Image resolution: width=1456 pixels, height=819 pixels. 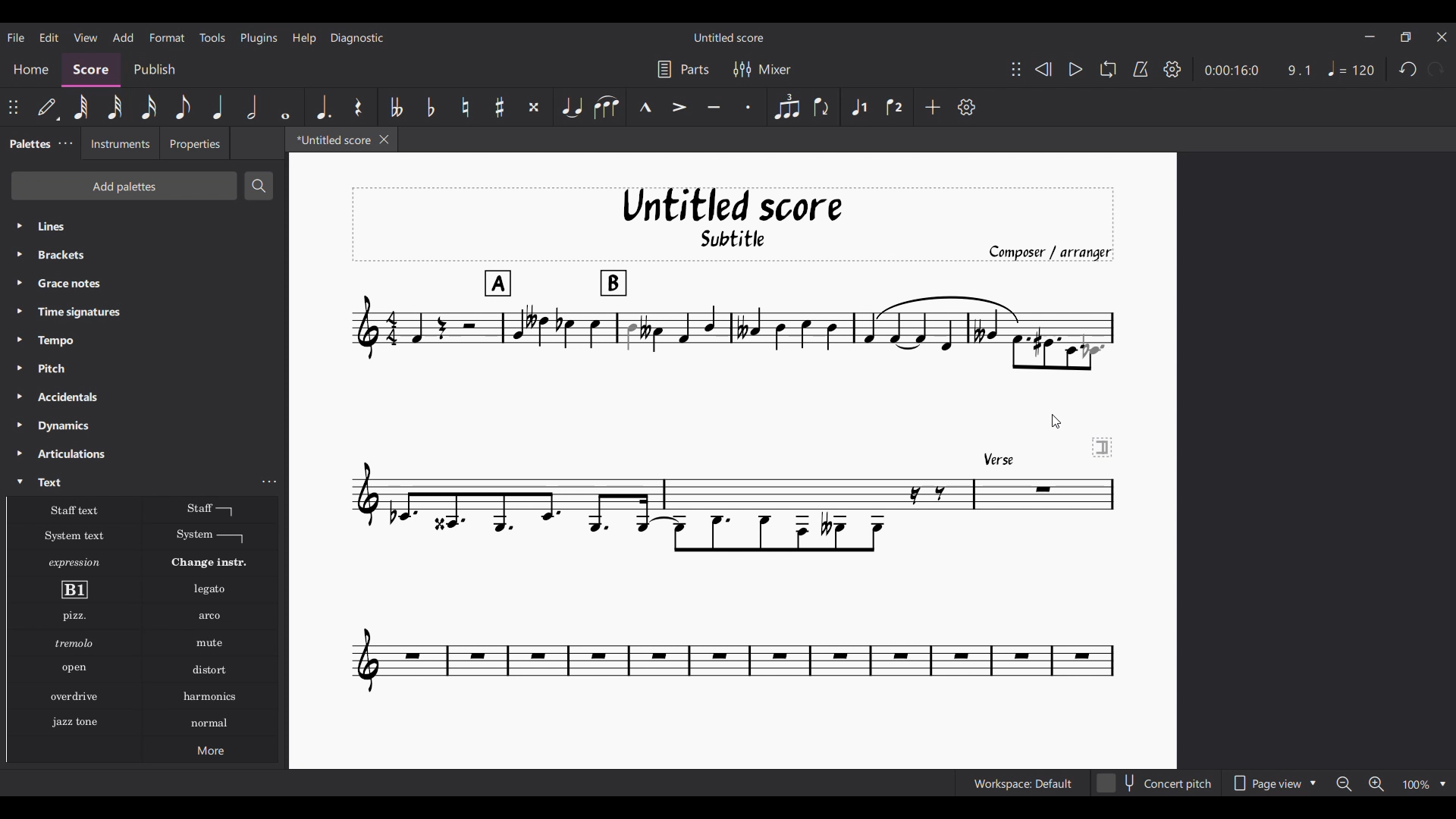 What do you see at coordinates (144, 426) in the screenshot?
I see `Dynamics` at bounding box center [144, 426].